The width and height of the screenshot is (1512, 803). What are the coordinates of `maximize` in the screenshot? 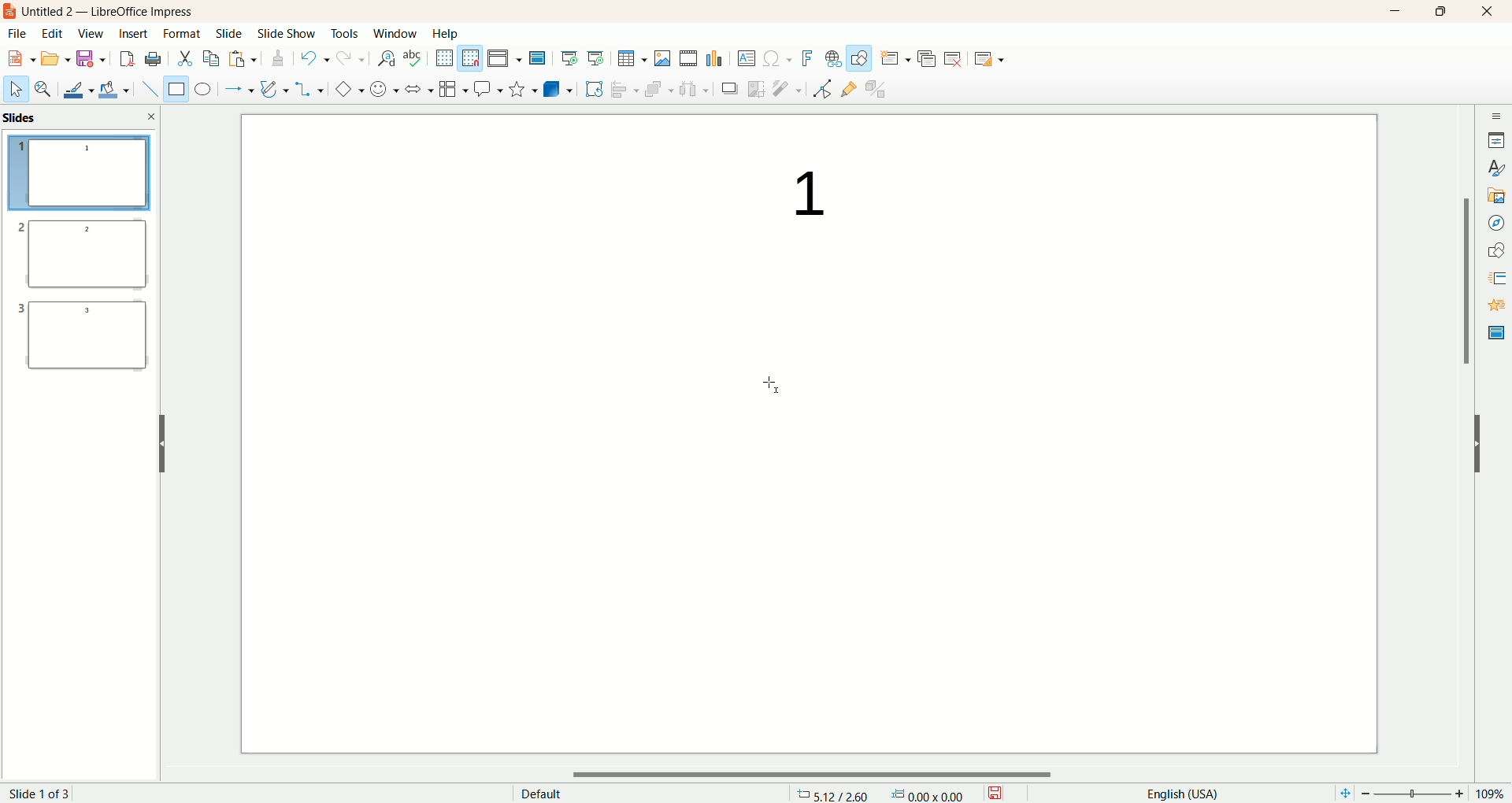 It's located at (1440, 13).